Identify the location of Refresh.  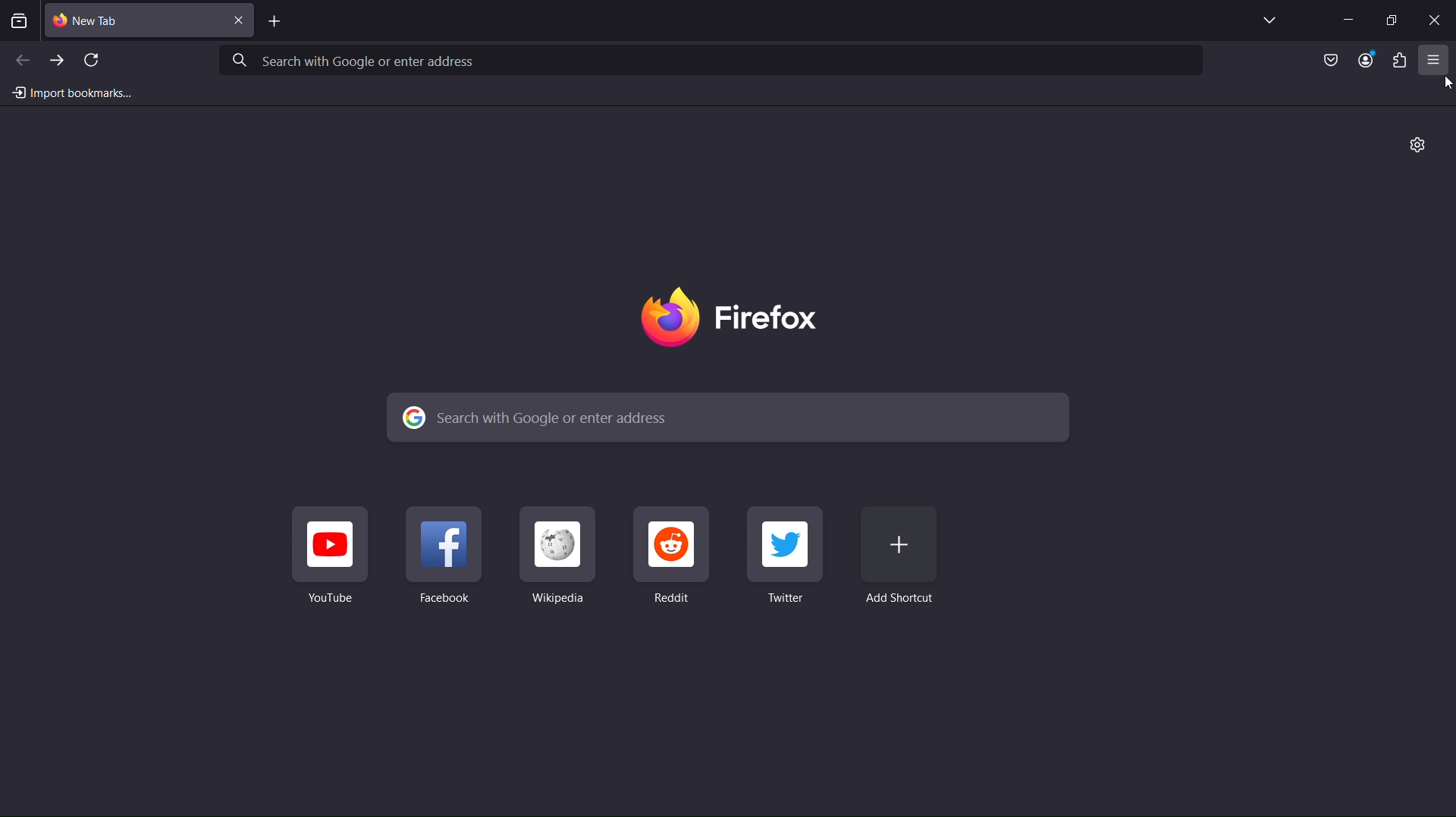
(98, 61).